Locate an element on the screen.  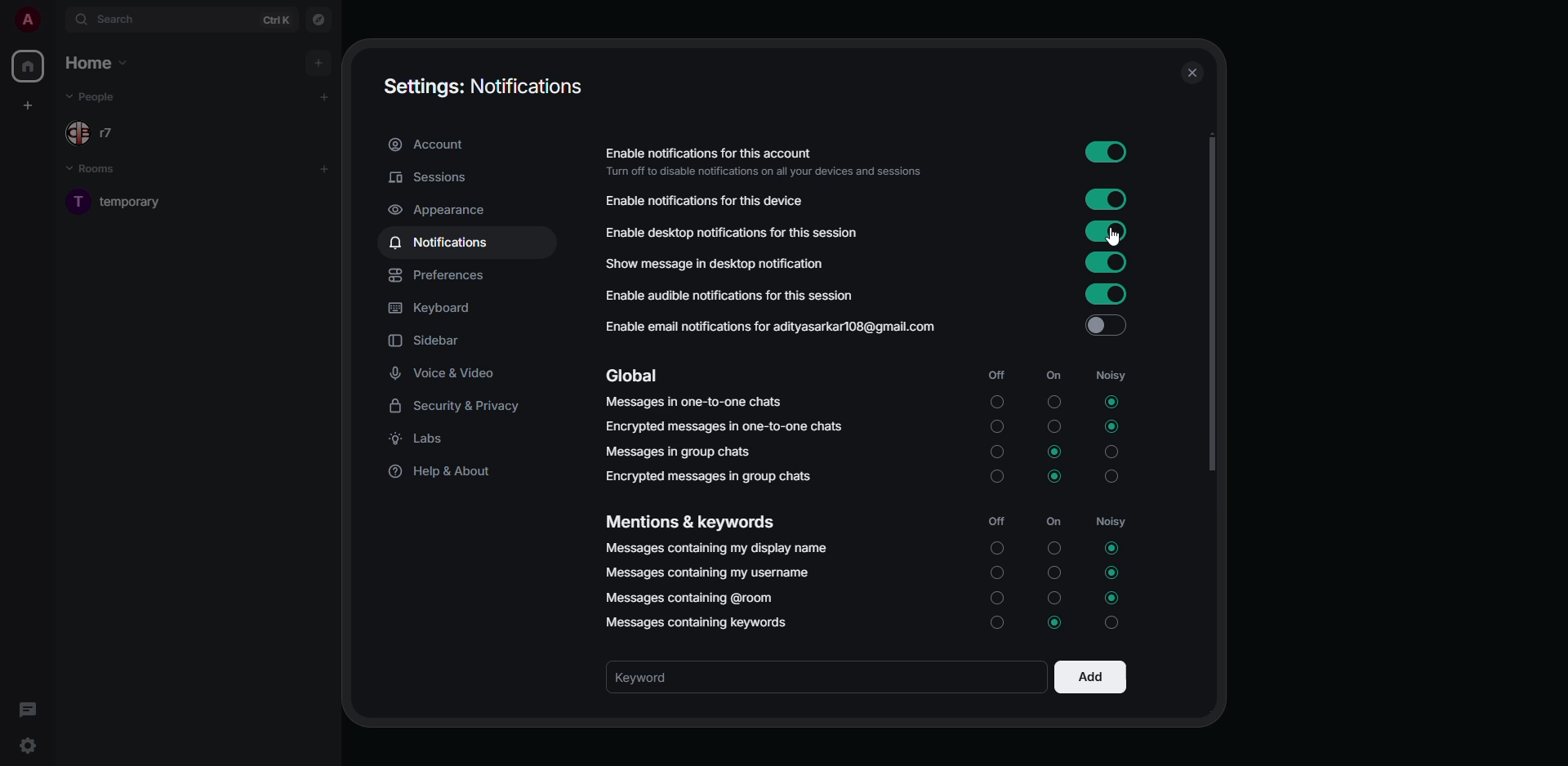
turn on is located at coordinates (996, 452).